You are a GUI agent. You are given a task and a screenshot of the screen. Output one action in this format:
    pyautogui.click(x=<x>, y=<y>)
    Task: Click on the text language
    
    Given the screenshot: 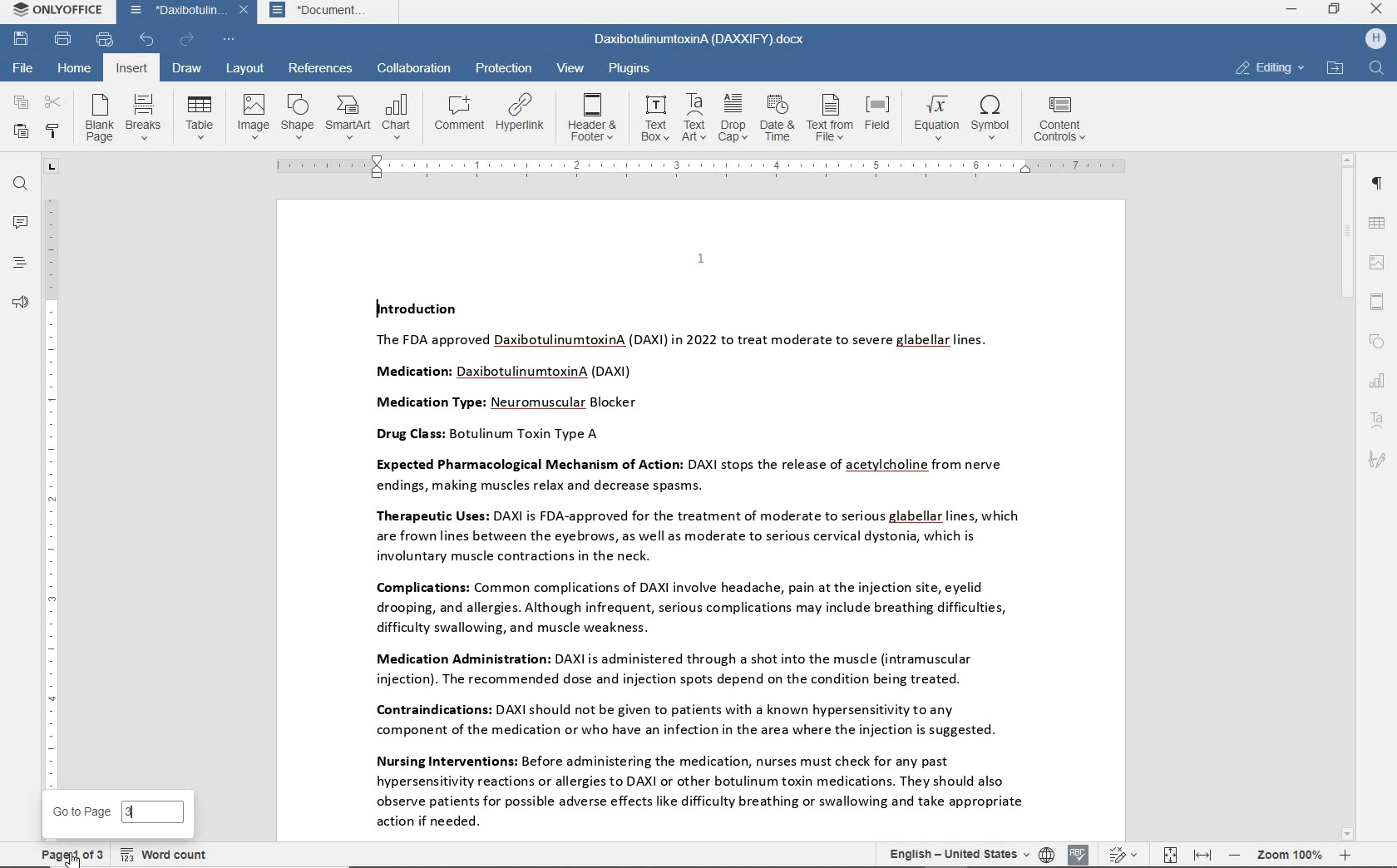 What is the action you would take?
    pyautogui.click(x=954, y=853)
    